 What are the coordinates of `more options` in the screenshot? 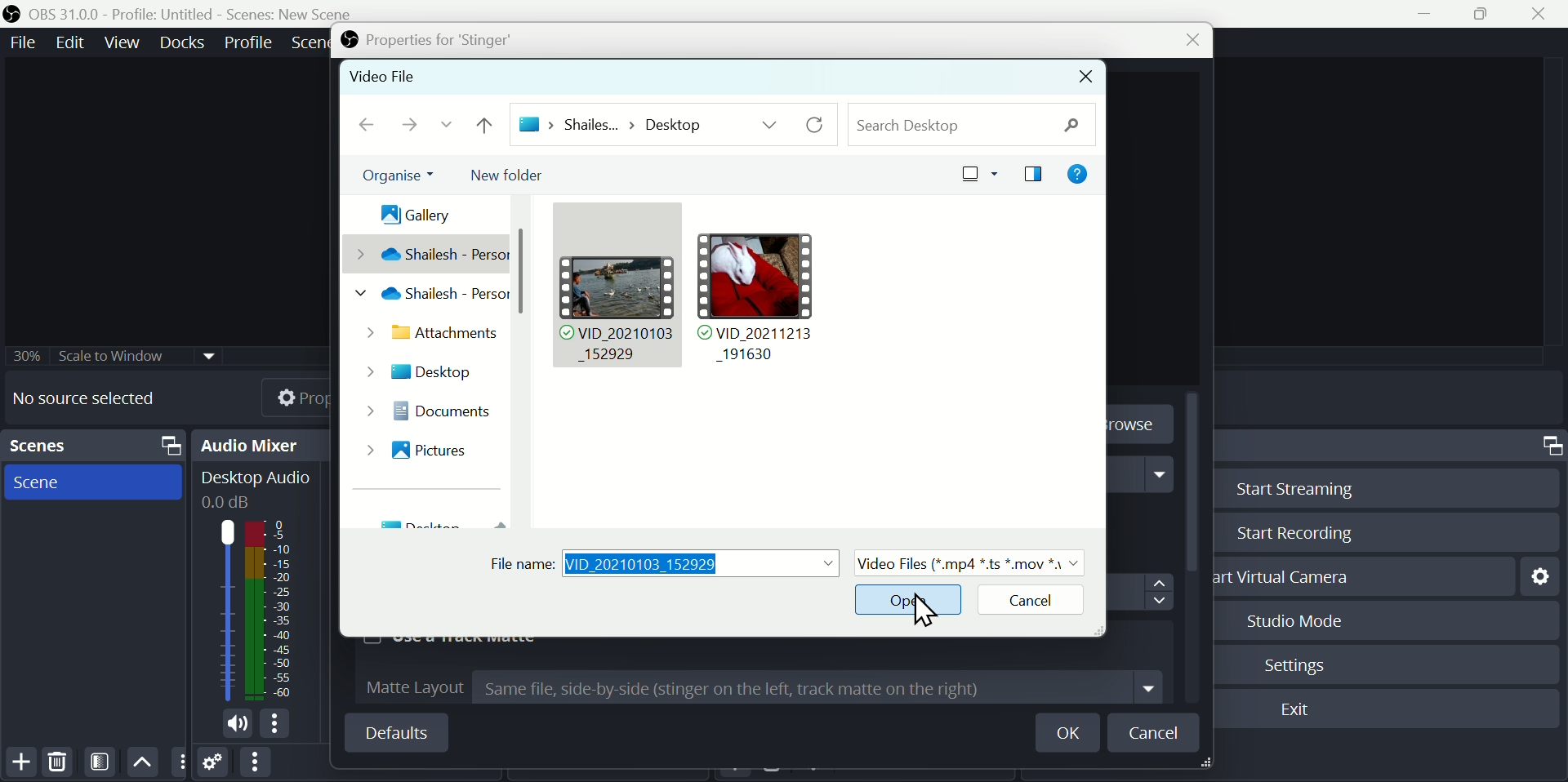 It's located at (278, 725).